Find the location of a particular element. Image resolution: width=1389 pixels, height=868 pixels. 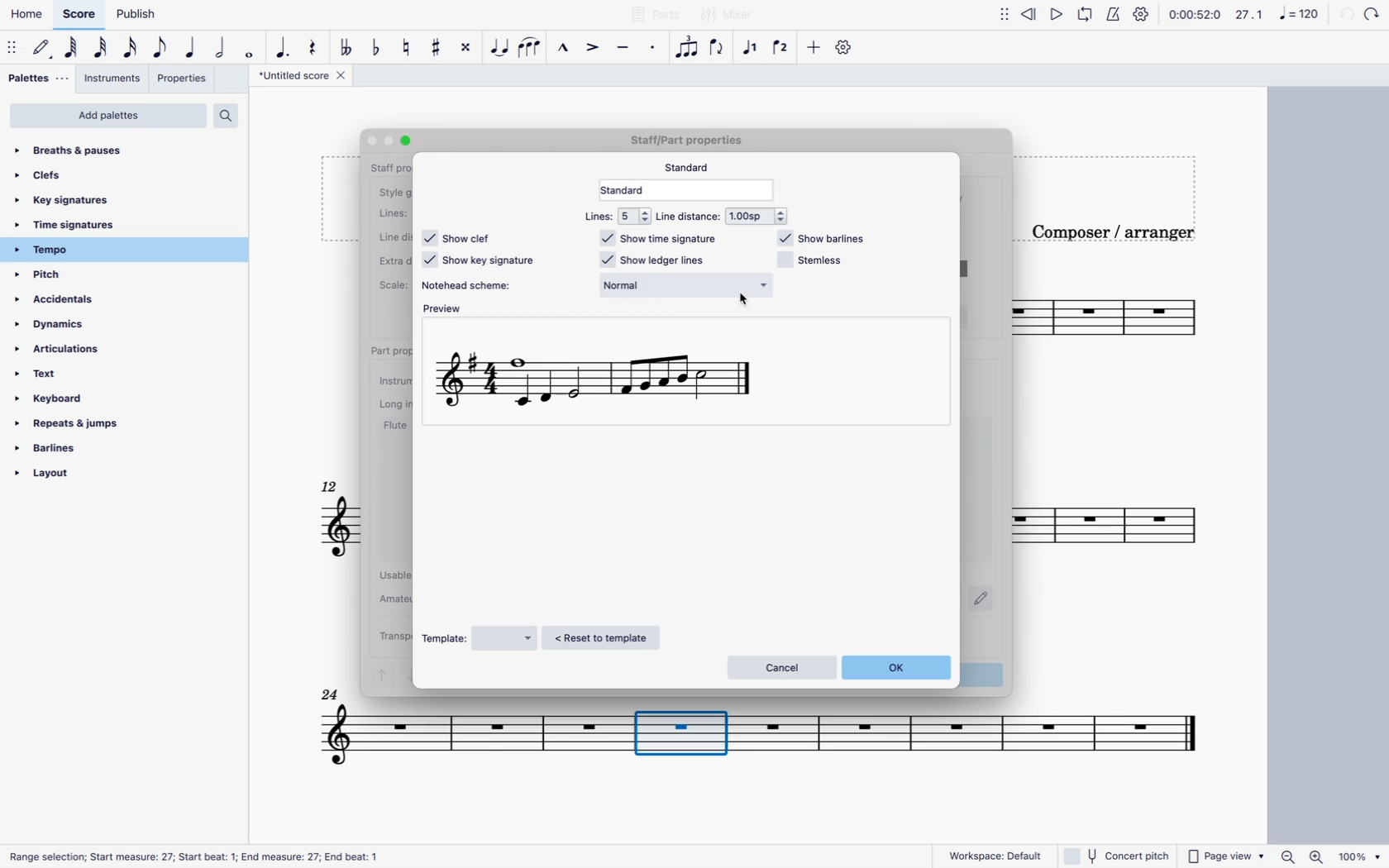

16th note is located at coordinates (131, 48).